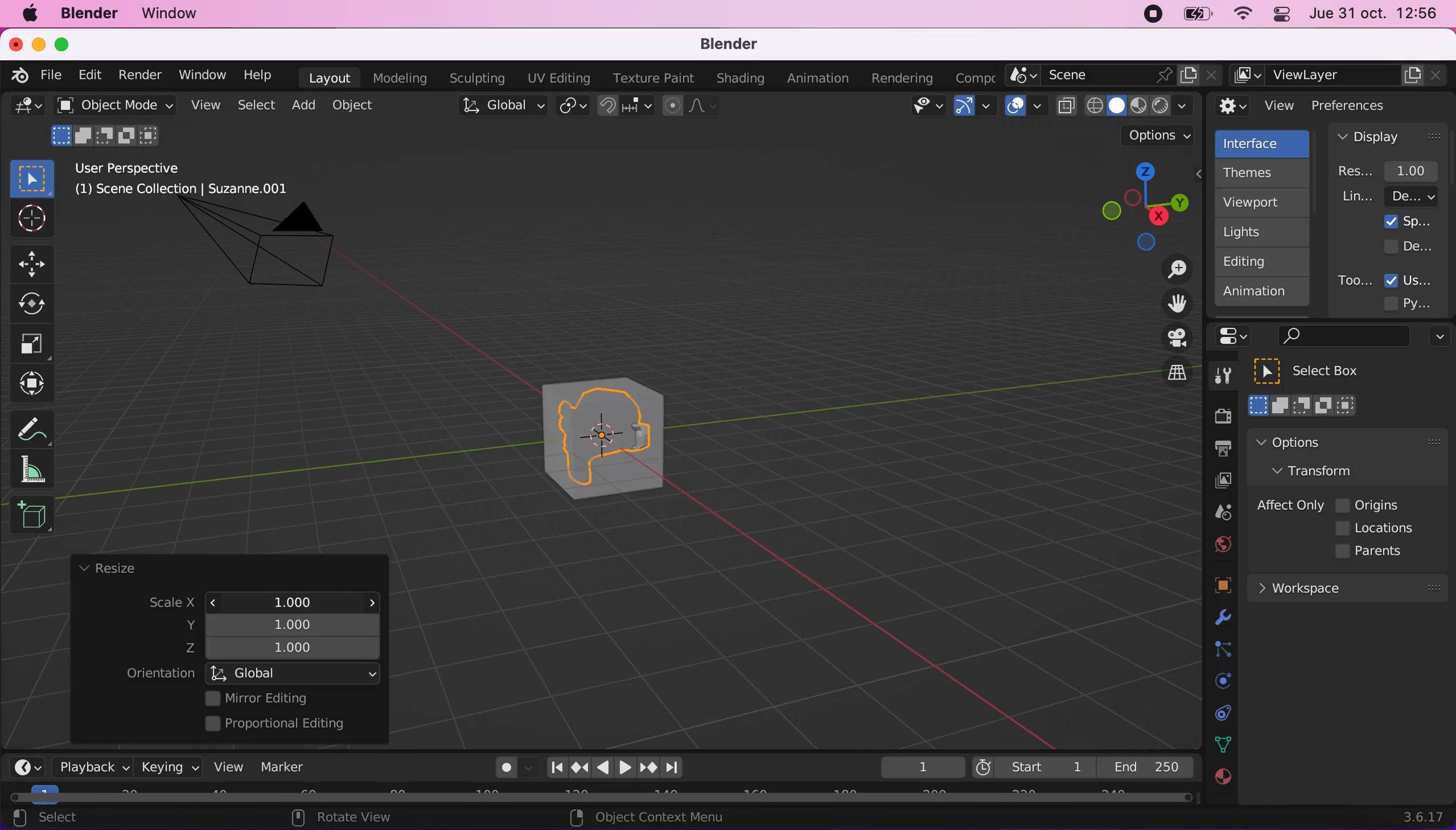 The width and height of the screenshot is (1456, 830). I want to click on line width, so click(1389, 196).